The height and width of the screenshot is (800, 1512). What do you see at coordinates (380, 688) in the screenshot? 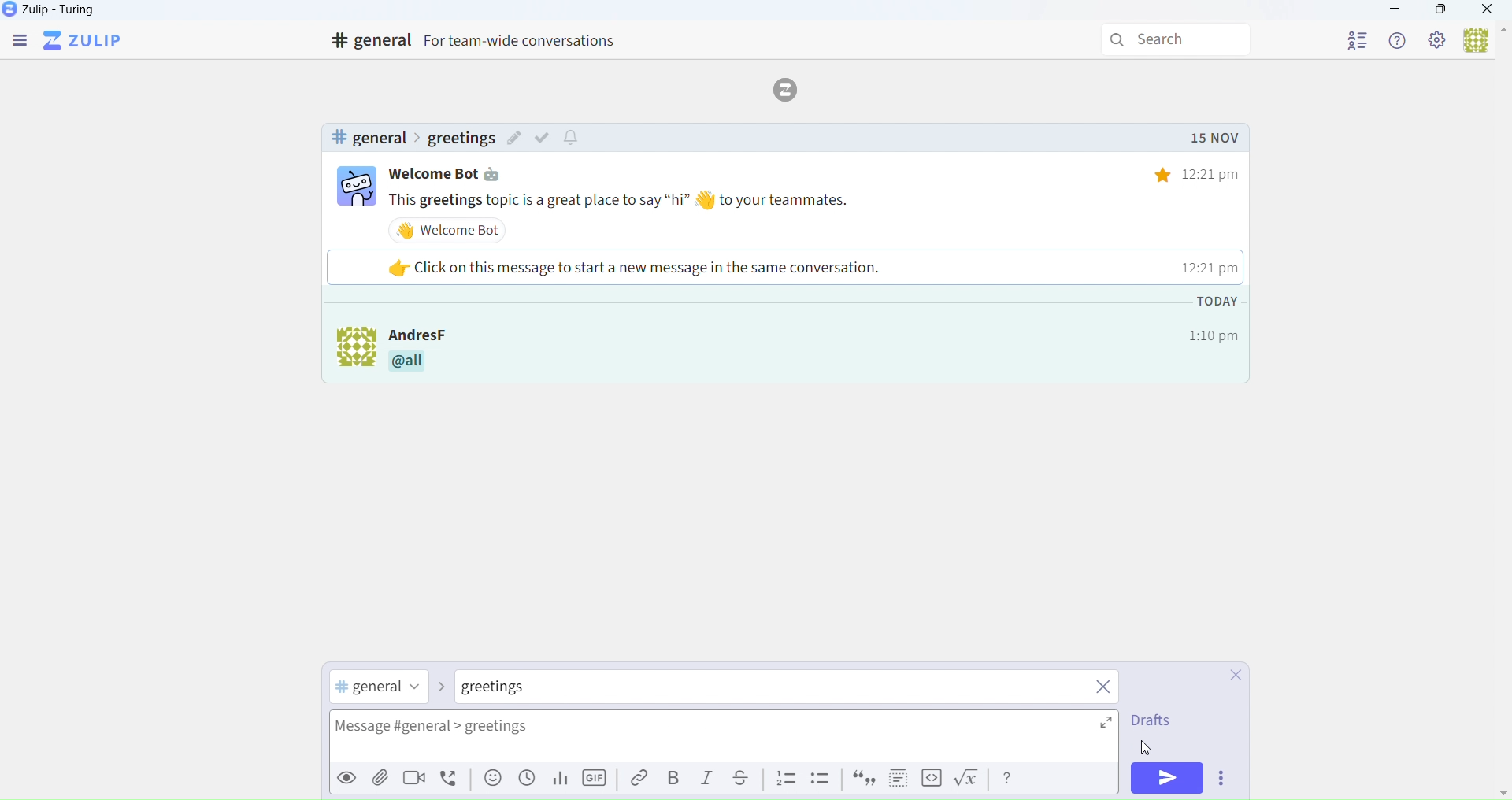
I see `Channel` at bounding box center [380, 688].